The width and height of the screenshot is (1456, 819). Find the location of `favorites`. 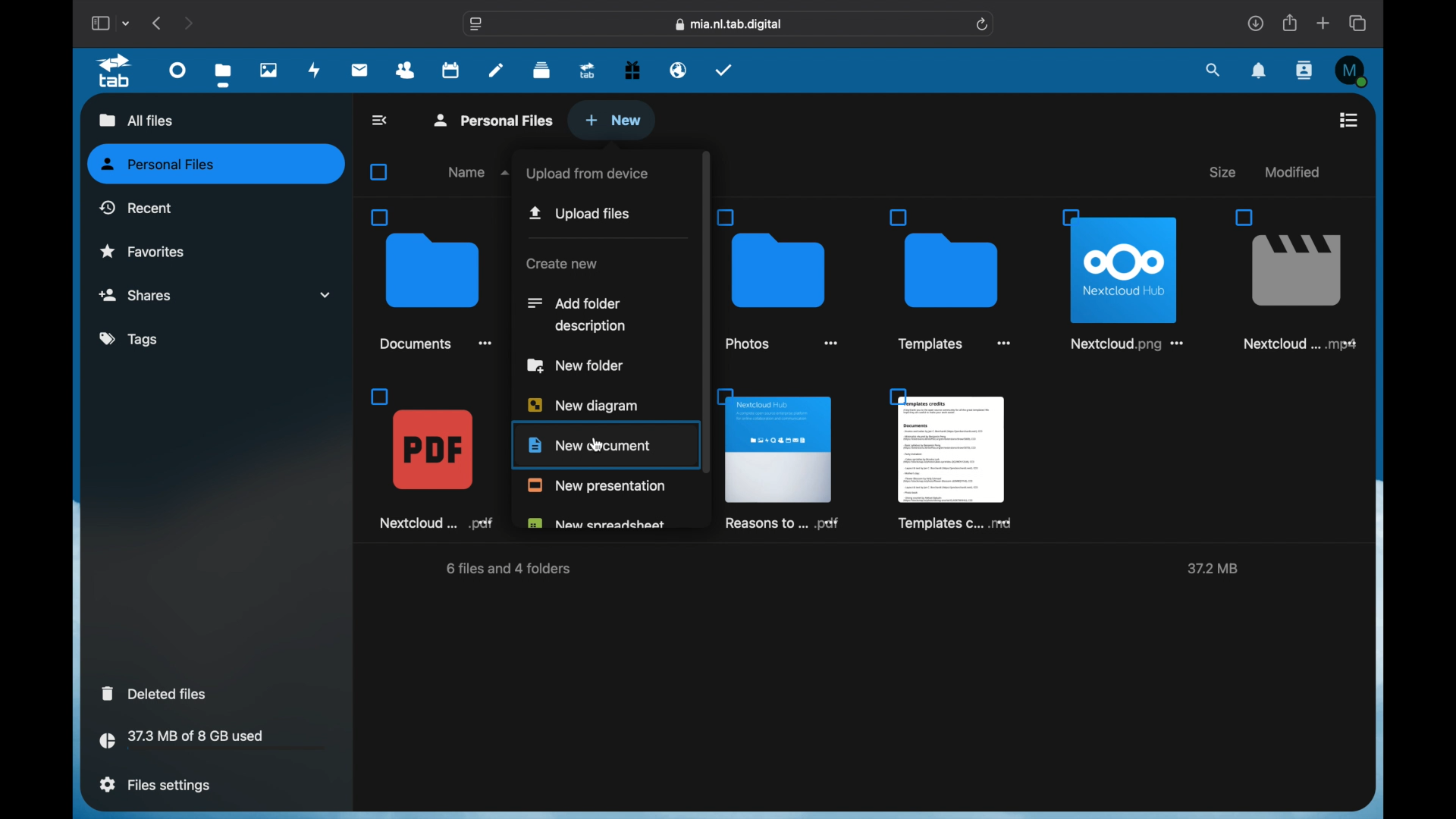

favorites is located at coordinates (143, 250).